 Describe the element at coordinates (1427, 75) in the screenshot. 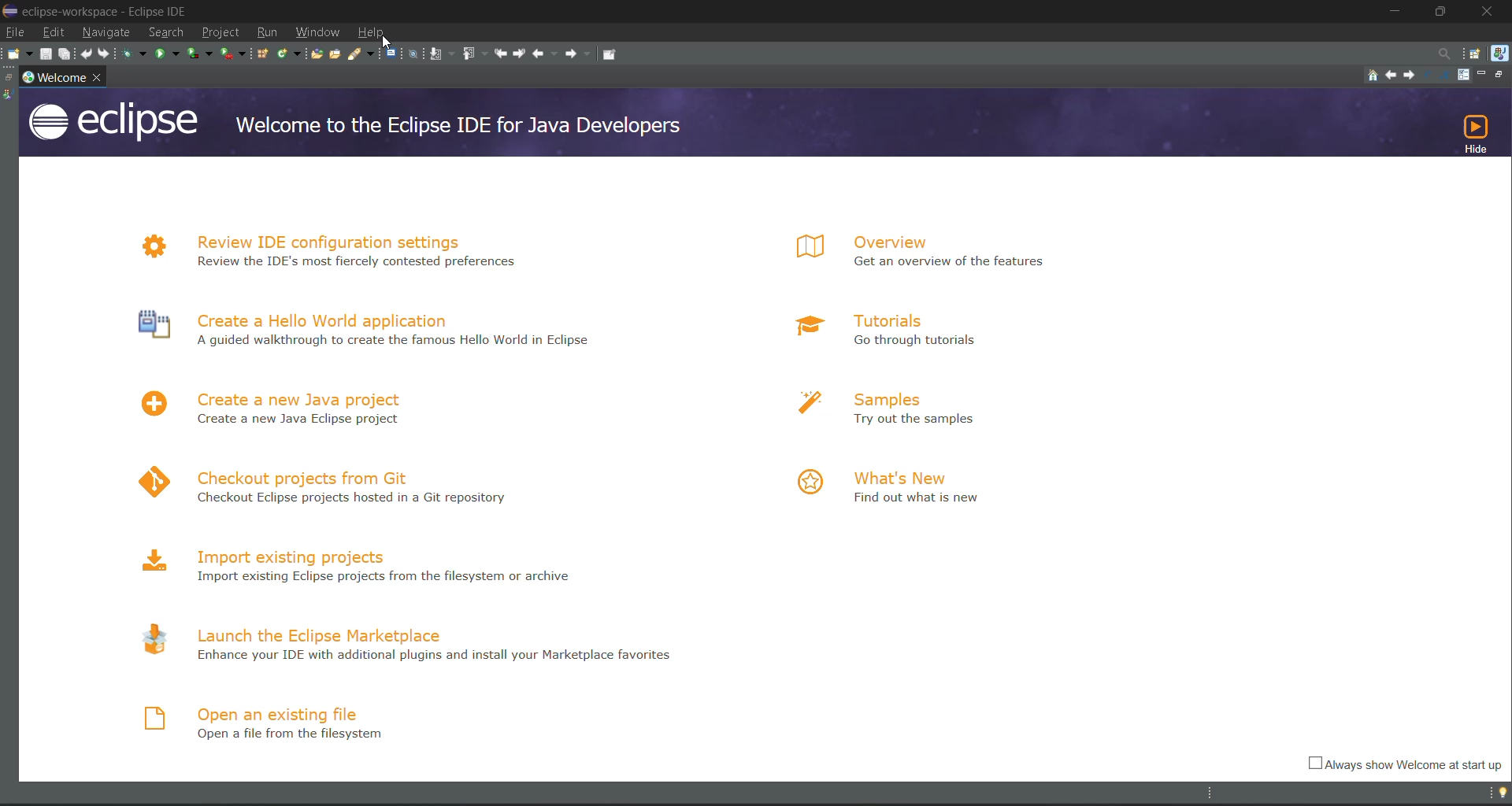

I see `reduce` at that location.